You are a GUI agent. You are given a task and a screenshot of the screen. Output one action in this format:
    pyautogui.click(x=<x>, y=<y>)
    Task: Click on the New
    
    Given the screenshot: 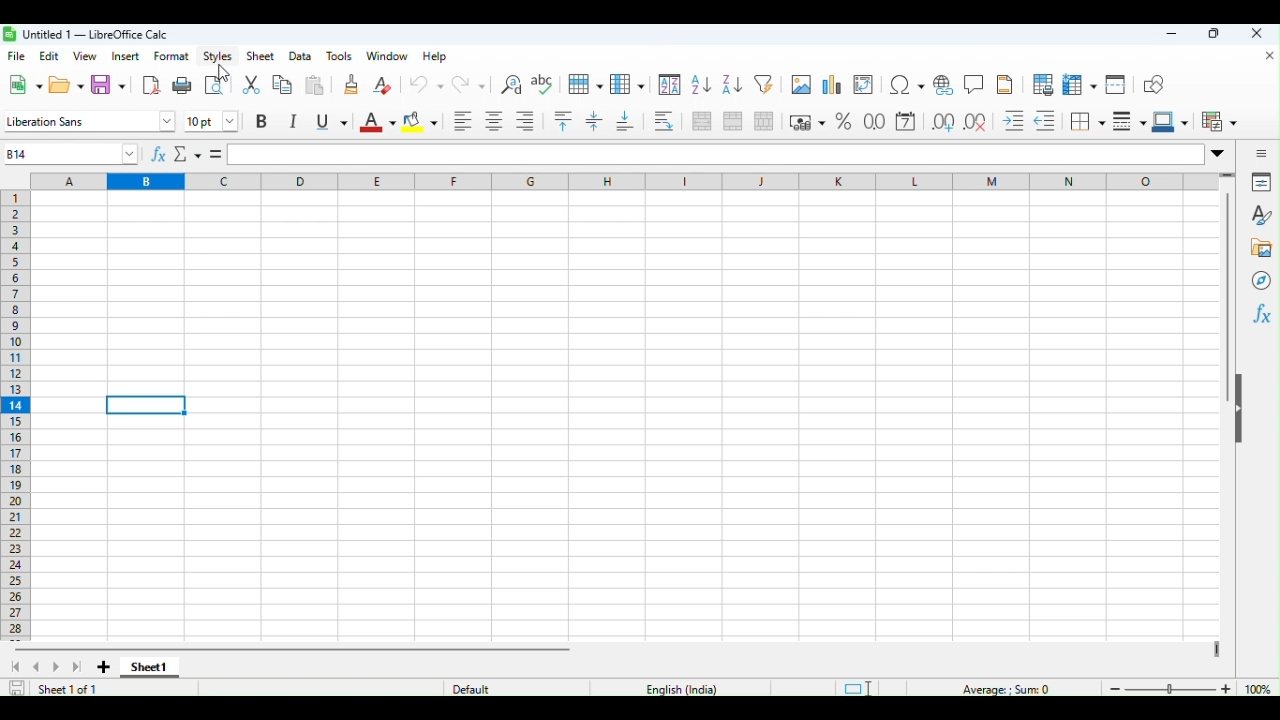 What is the action you would take?
    pyautogui.click(x=23, y=85)
    